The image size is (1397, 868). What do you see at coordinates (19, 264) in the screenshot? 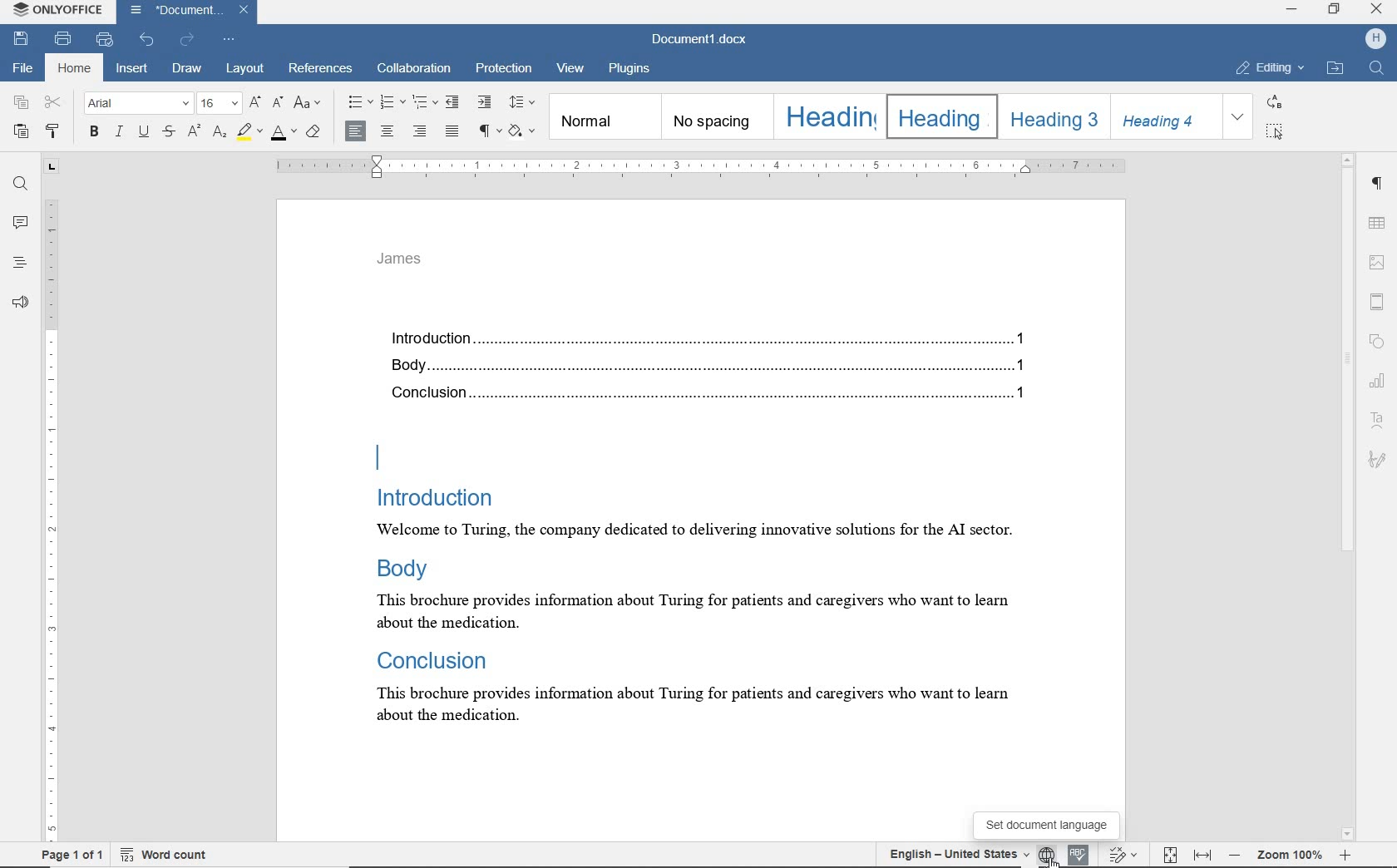
I see `headings` at bounding box center [19, 264].